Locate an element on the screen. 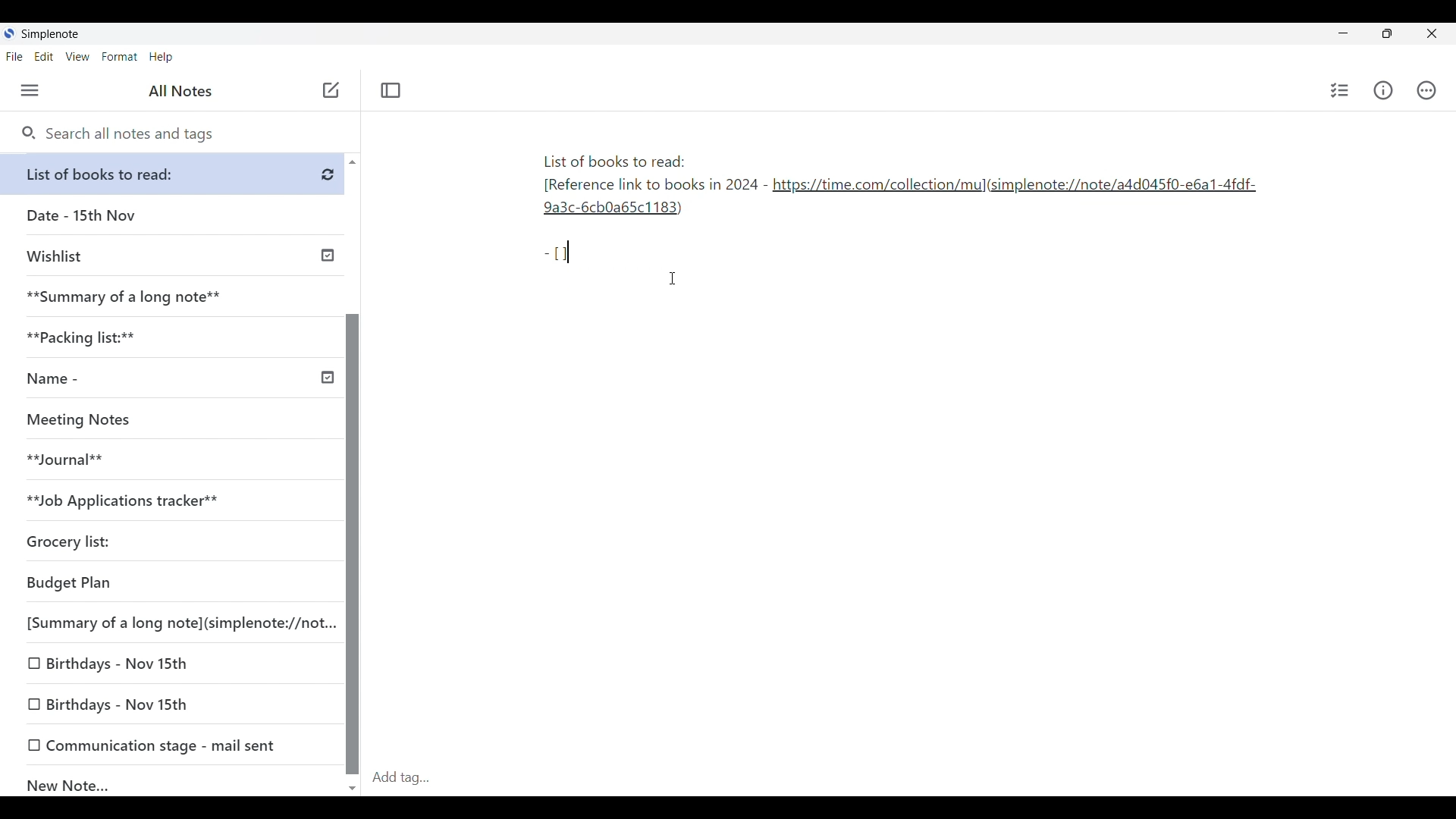 The width and height of the screenshot is (1456, 819). Birthdays - Nov 15th is located at coordinates (174, 705).